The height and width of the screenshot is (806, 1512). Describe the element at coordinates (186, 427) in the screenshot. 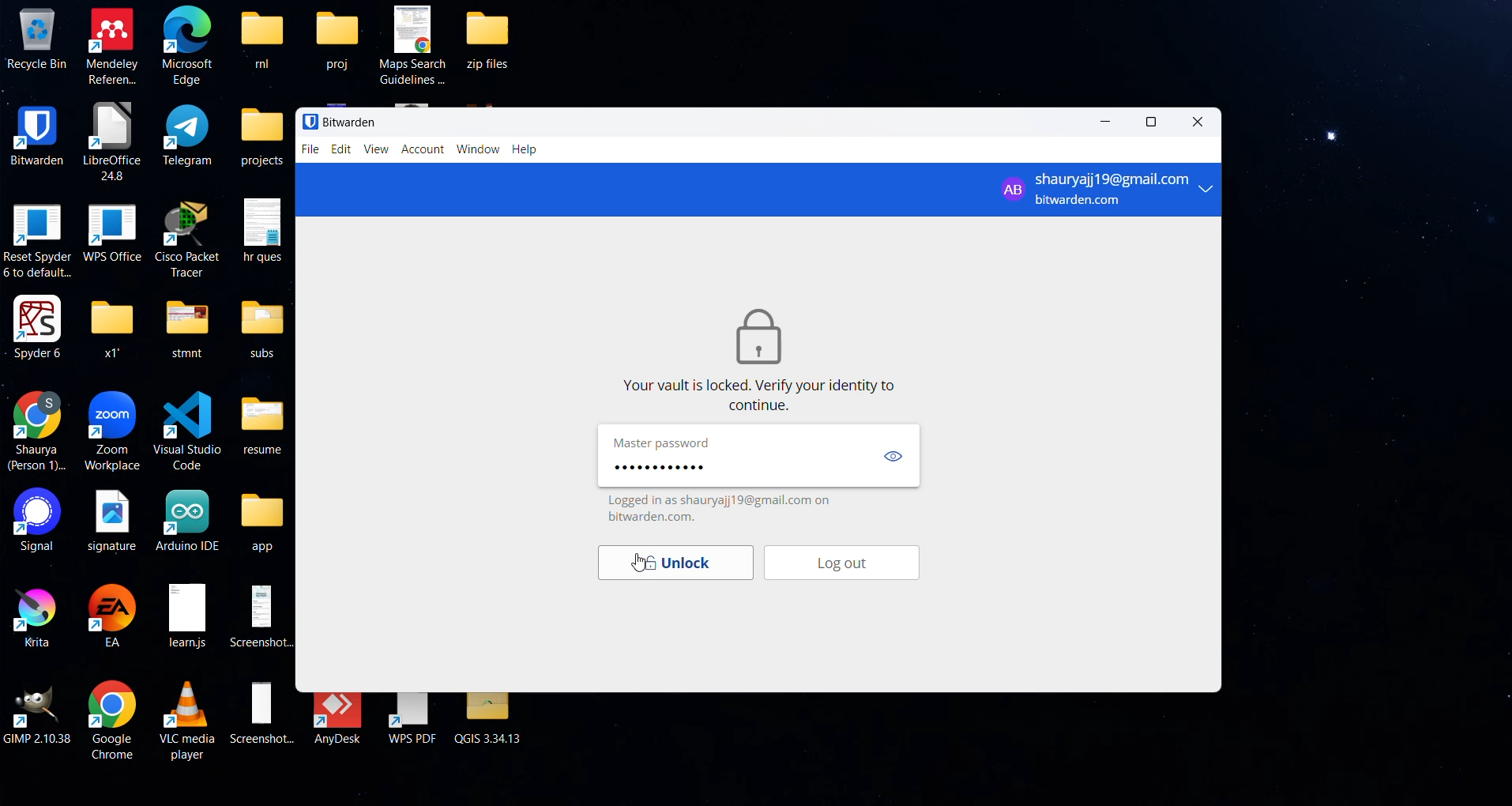

I see `Visual Studio code` at that location.